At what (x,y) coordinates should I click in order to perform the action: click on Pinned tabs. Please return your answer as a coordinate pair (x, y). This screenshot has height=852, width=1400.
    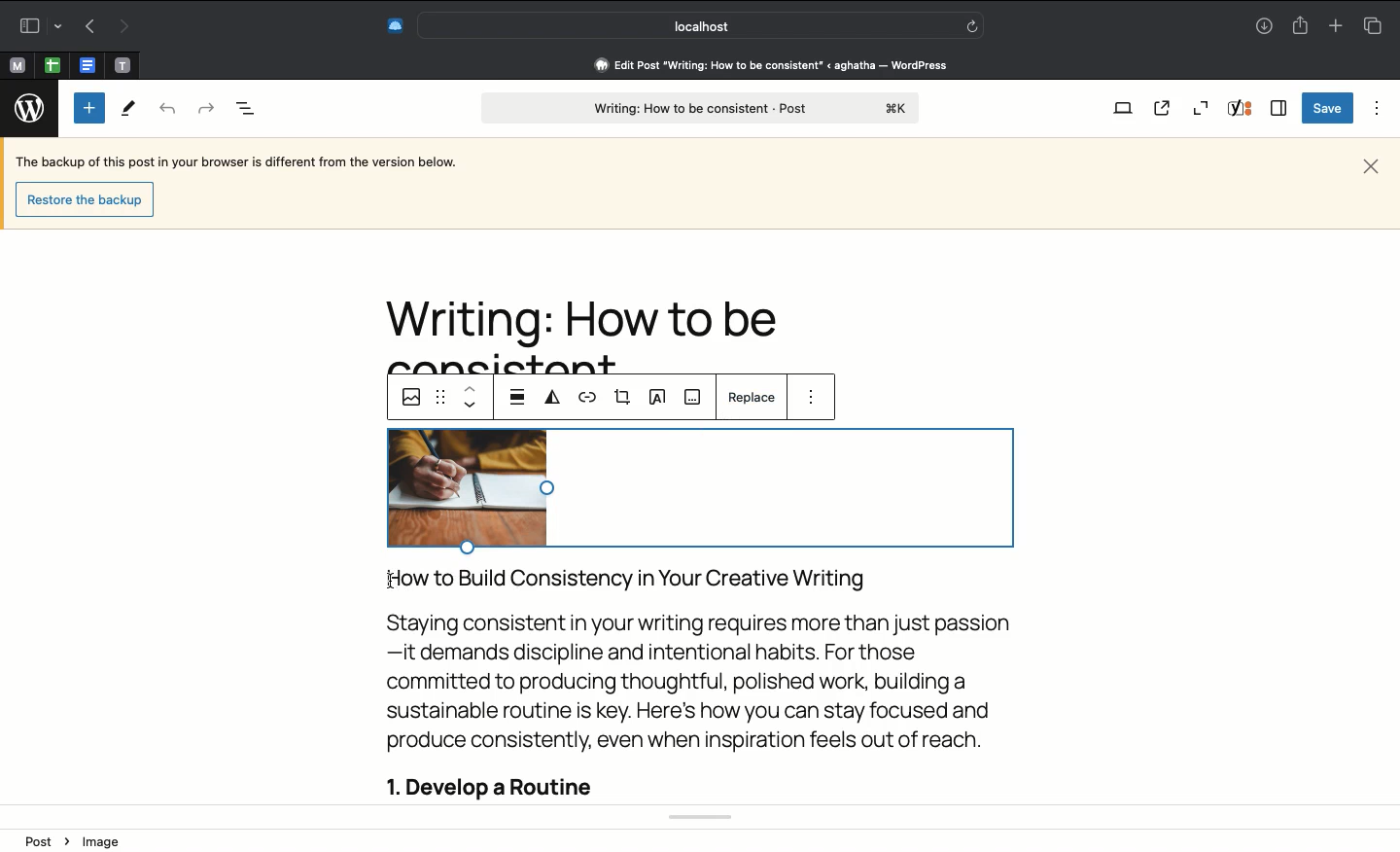
    Looking at the image, I should click on (18, 64).